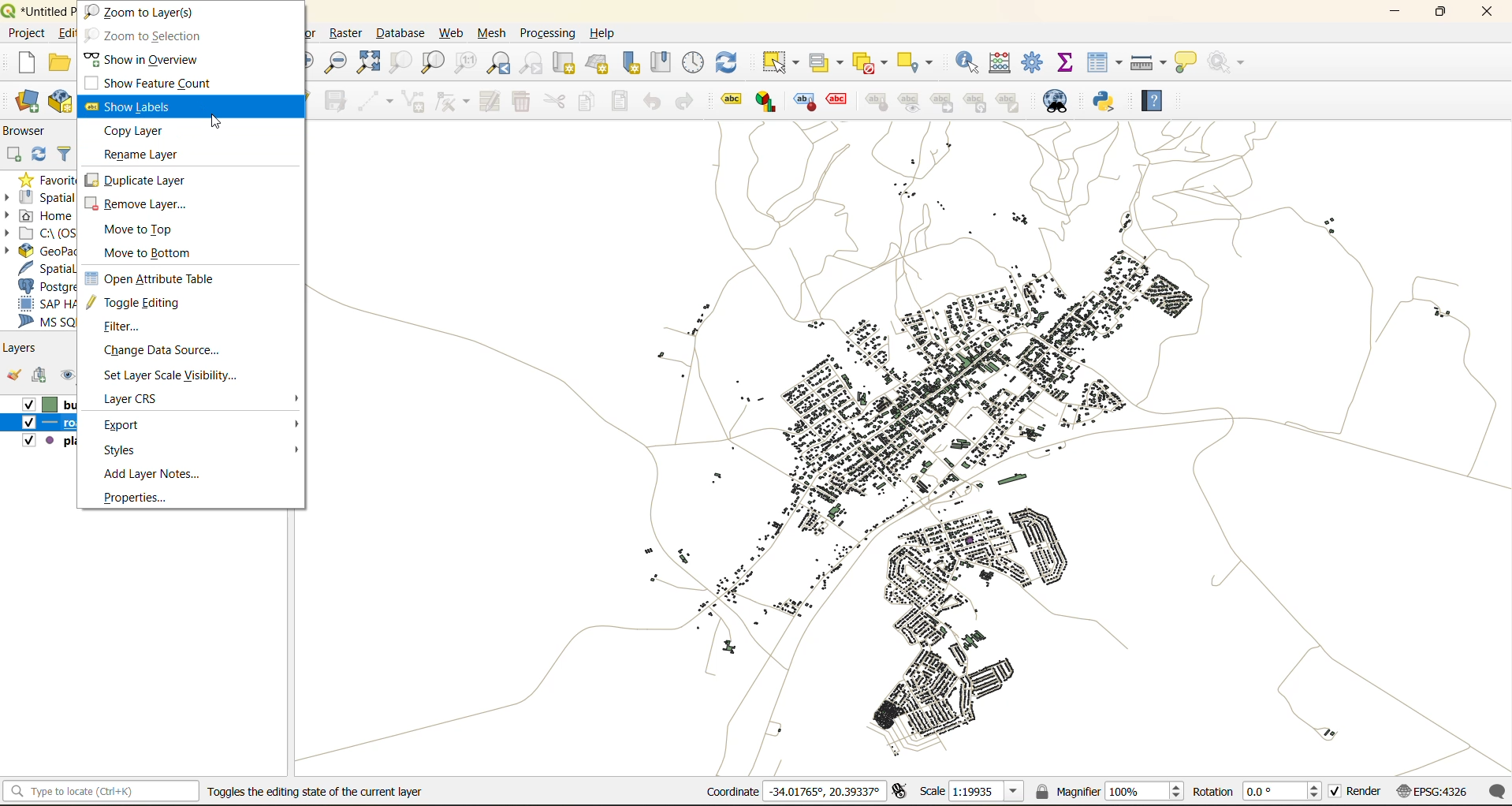  What do you see at coordinates (519, 100) in the screenshot?
I see `delete` at bounding box center [519, 100].